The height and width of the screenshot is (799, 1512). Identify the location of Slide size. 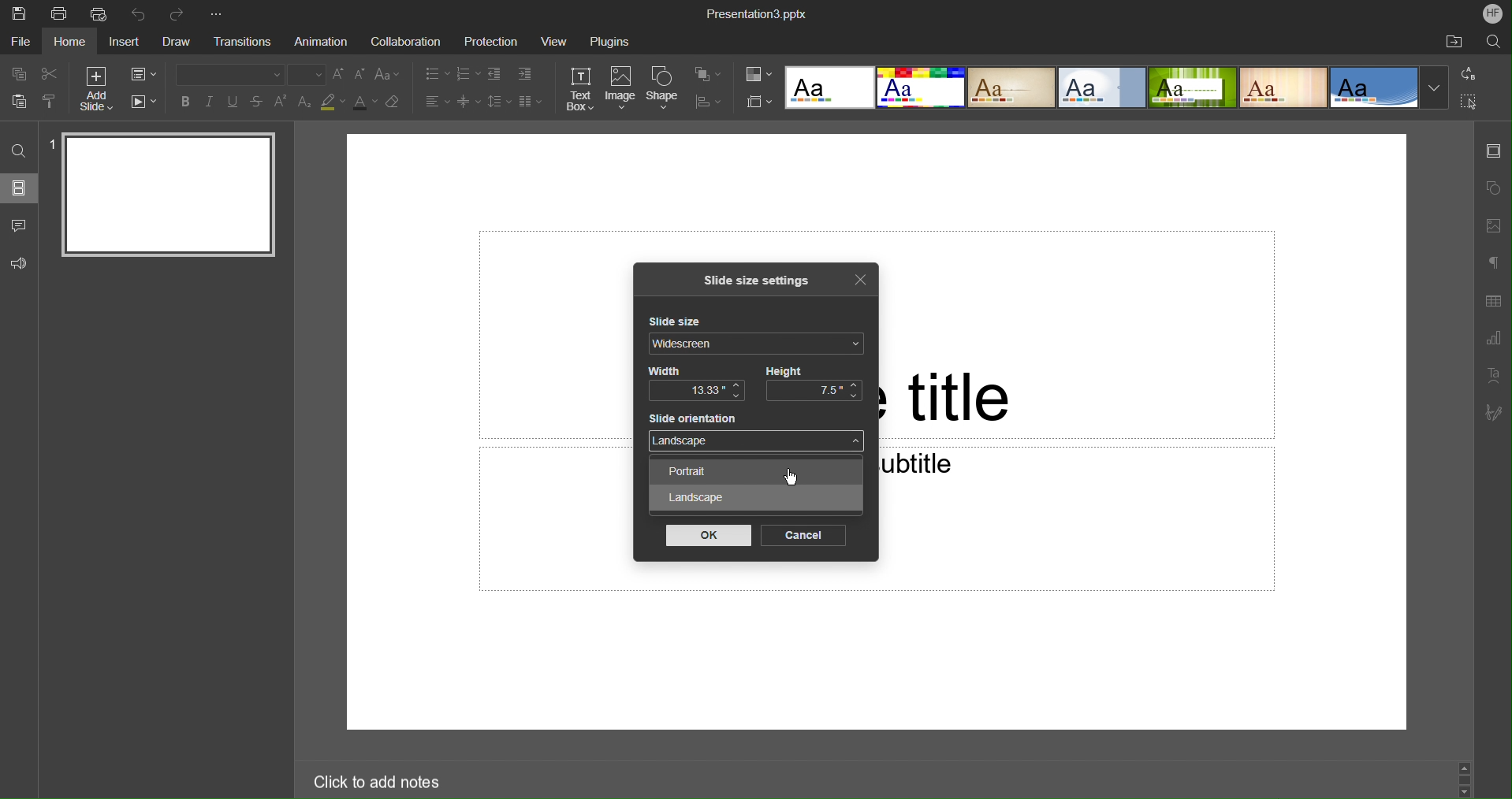
(681, 322).